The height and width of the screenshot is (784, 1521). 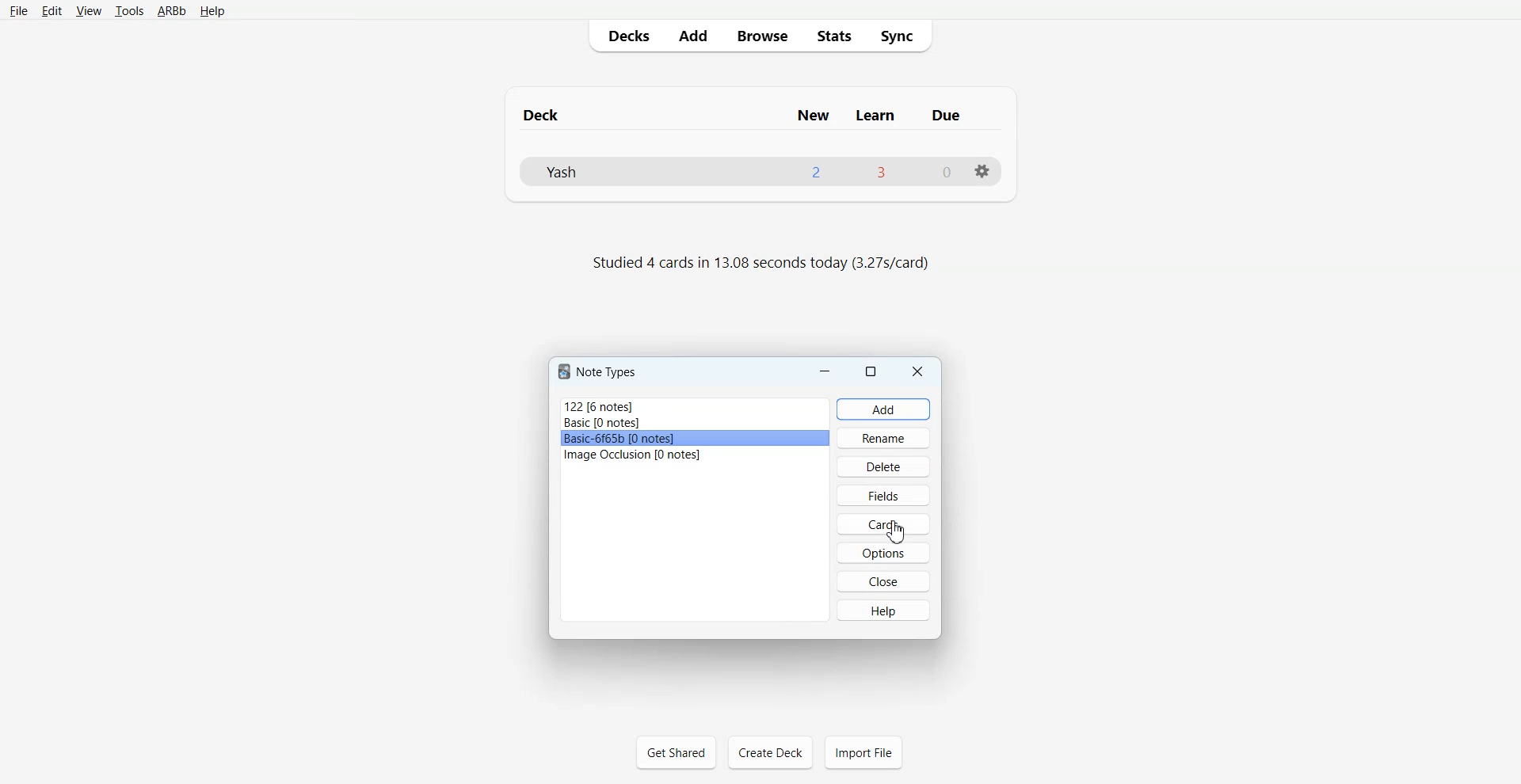 What do you see at coordinates (695, 423) in the screenshot?
I see `Basic` at bounding box center [695, 423].